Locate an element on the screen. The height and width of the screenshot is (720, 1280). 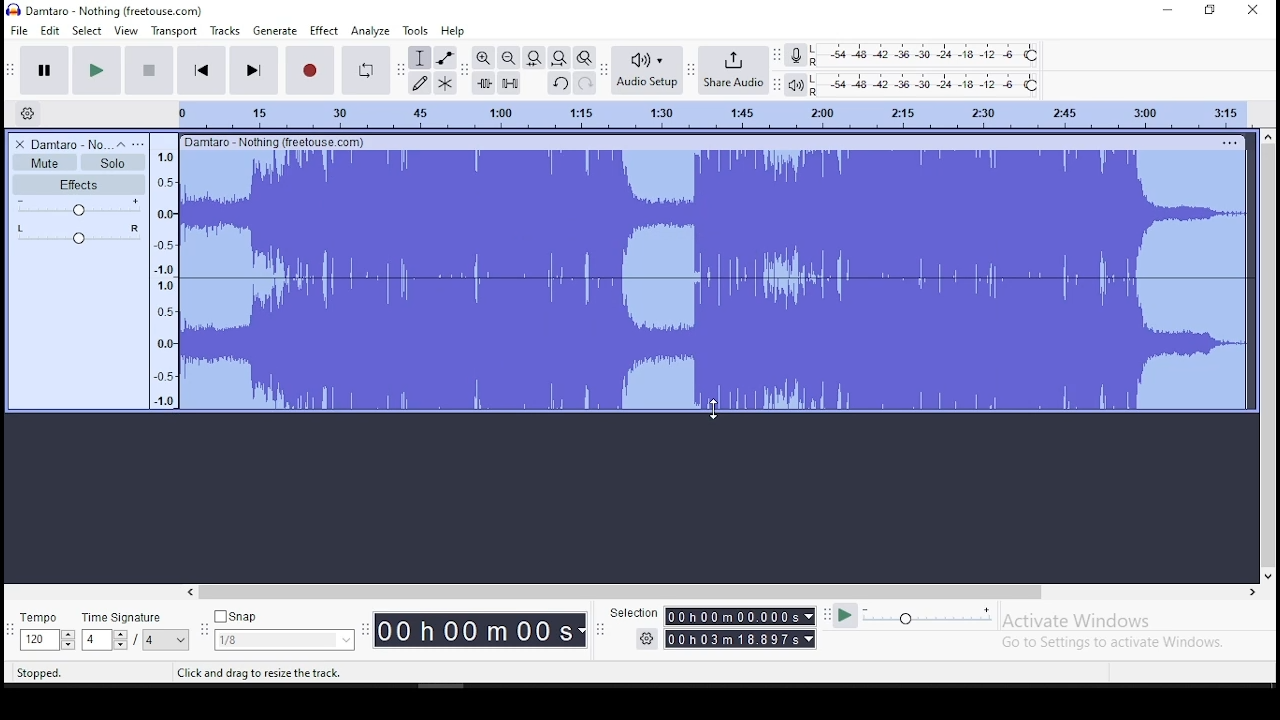
1/8 is located at coordinates (270, 640).